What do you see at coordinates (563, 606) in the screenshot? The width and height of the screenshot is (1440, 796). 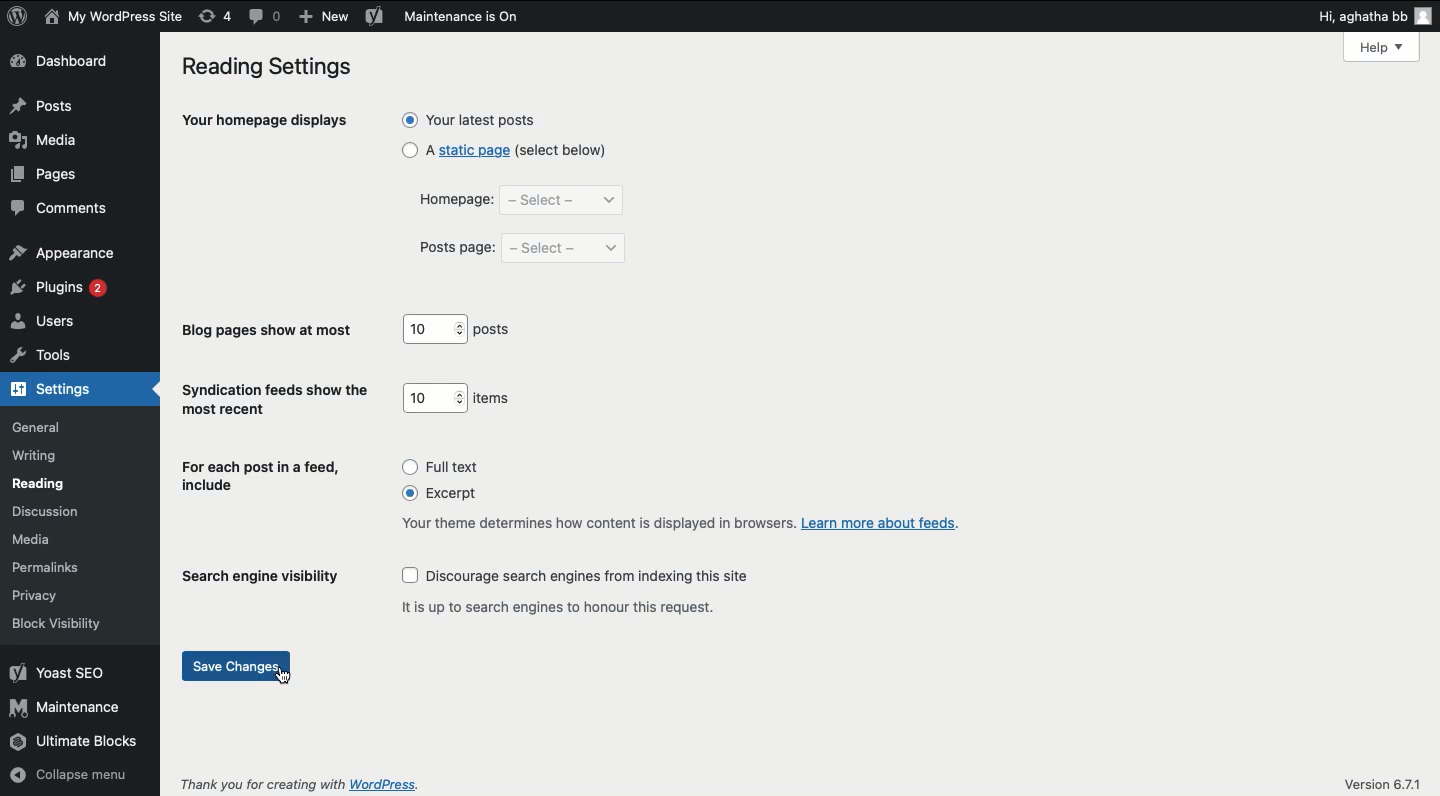 I see `it is up to search engines to honour this request` at bounding box center [563, 606].